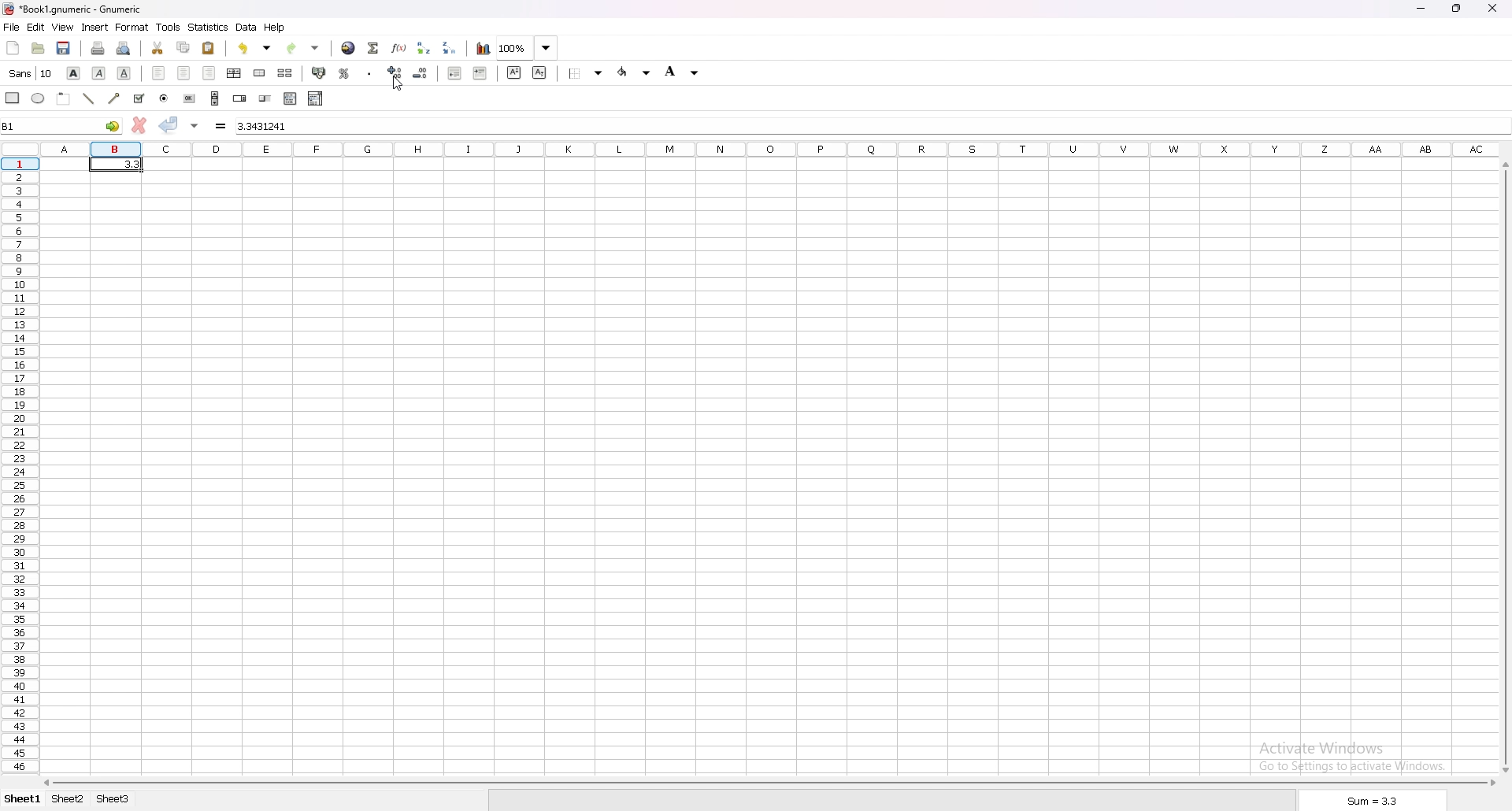  Describe the element at coordinates (394, 74) in the screenshot. I see `increase decimal` at that location.